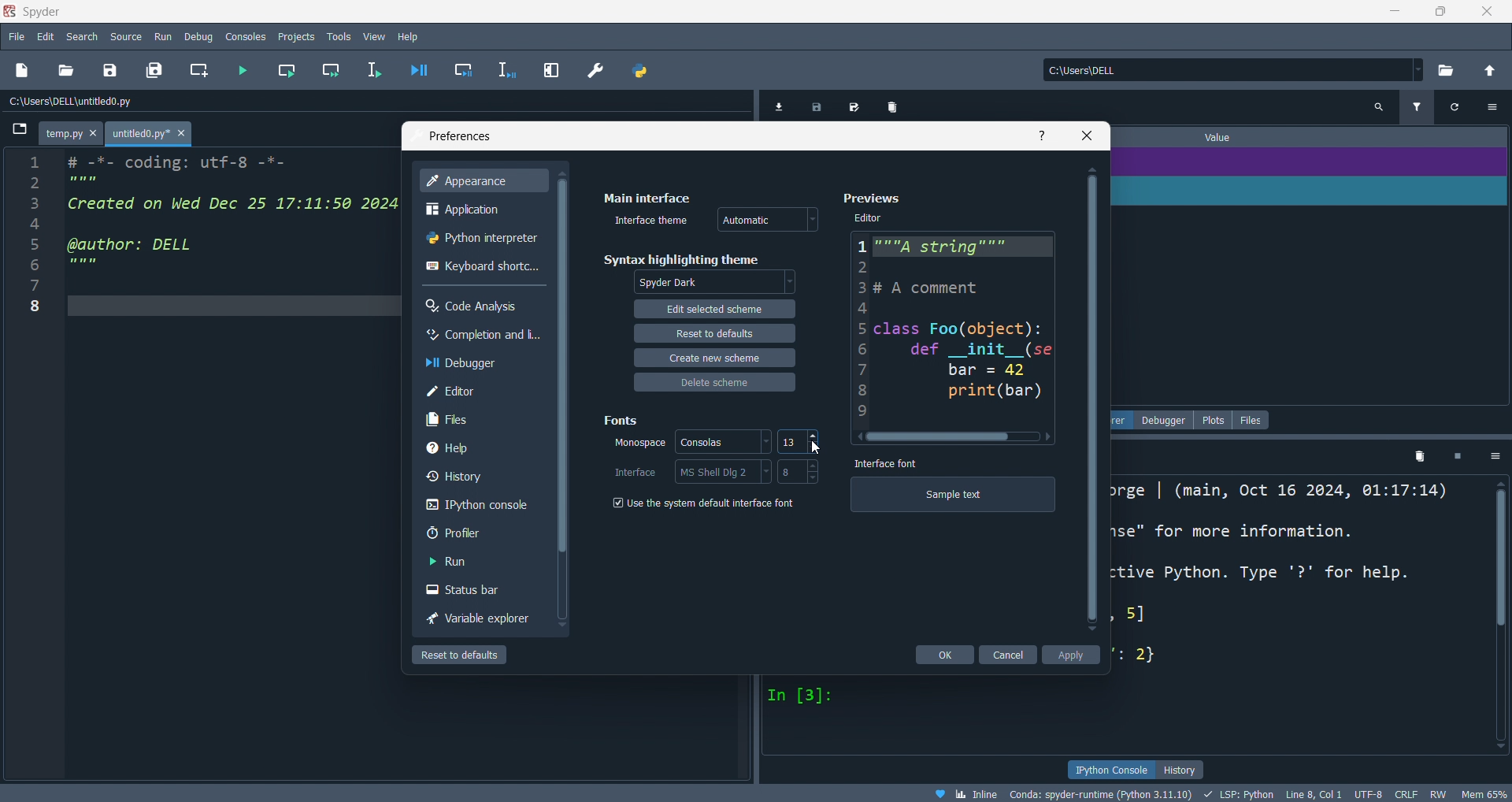  What do you see at coordinates (465, 69) in the screenshot?
I see `debug cell` at bounding box center [465, 69].